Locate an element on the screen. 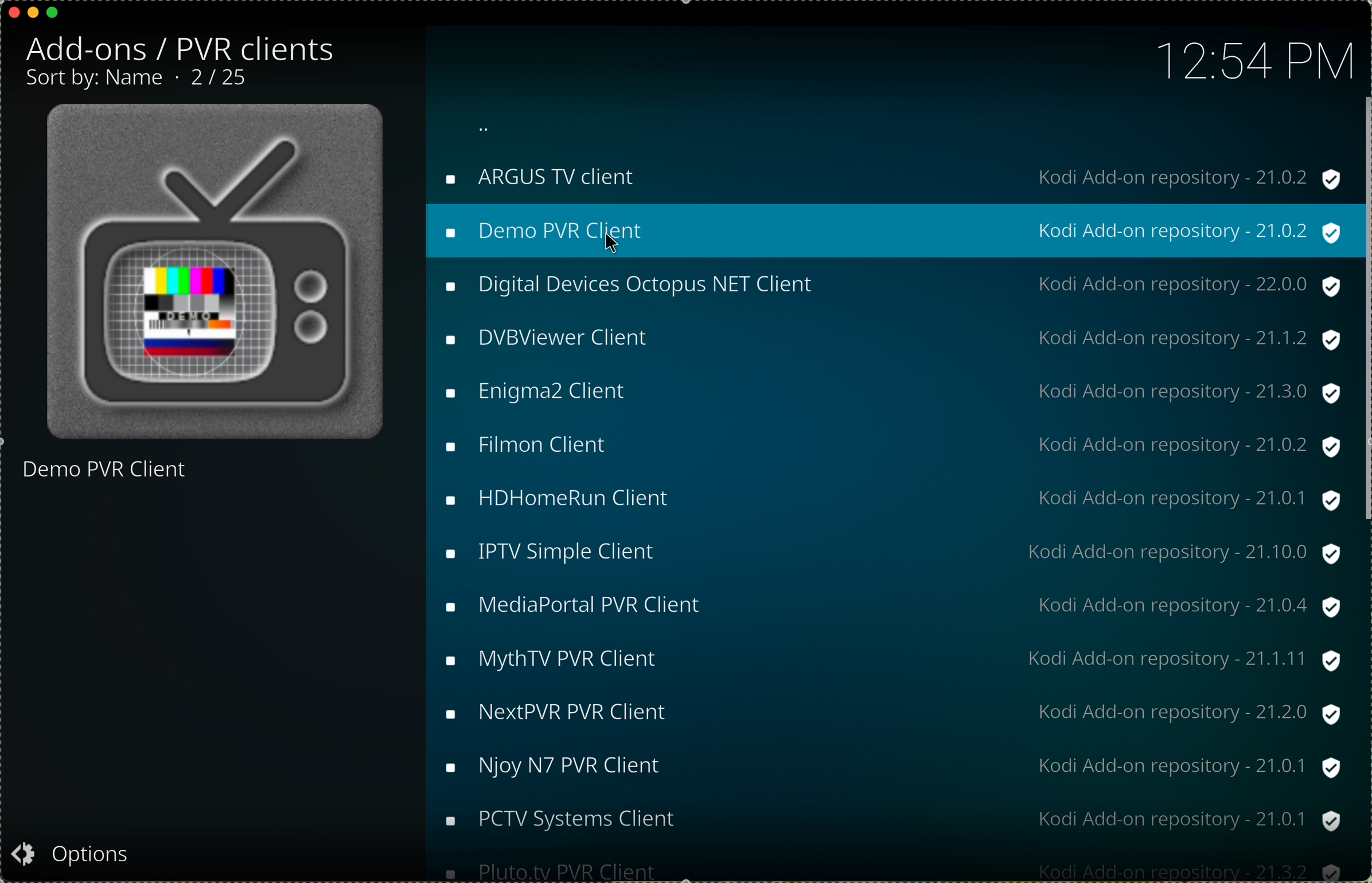 The image size is (1372, 883). Enigma2 client is located at coordinates (551, 392).